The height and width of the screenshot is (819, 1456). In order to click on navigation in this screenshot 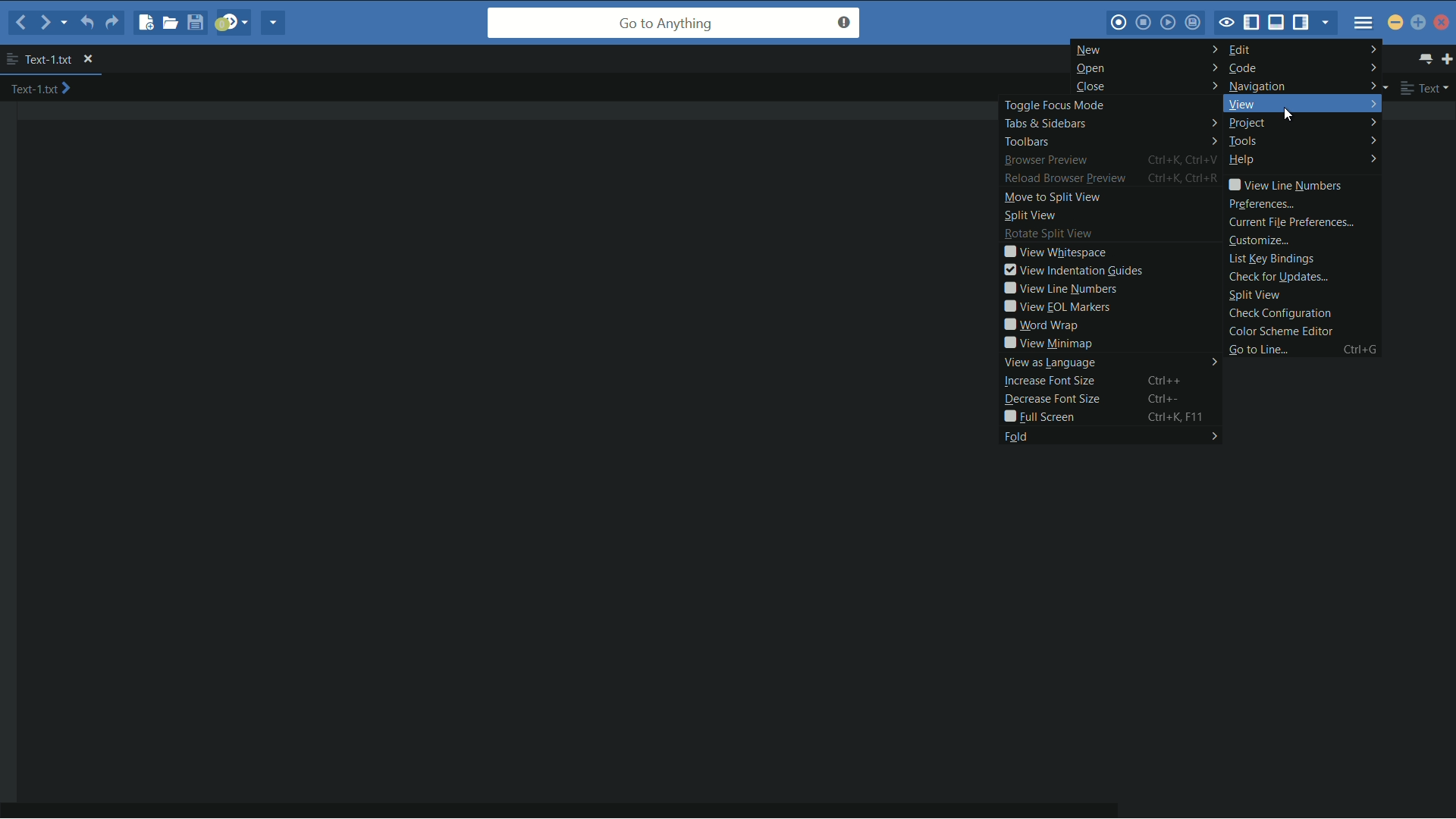, I will do `click(1302, 86)`.